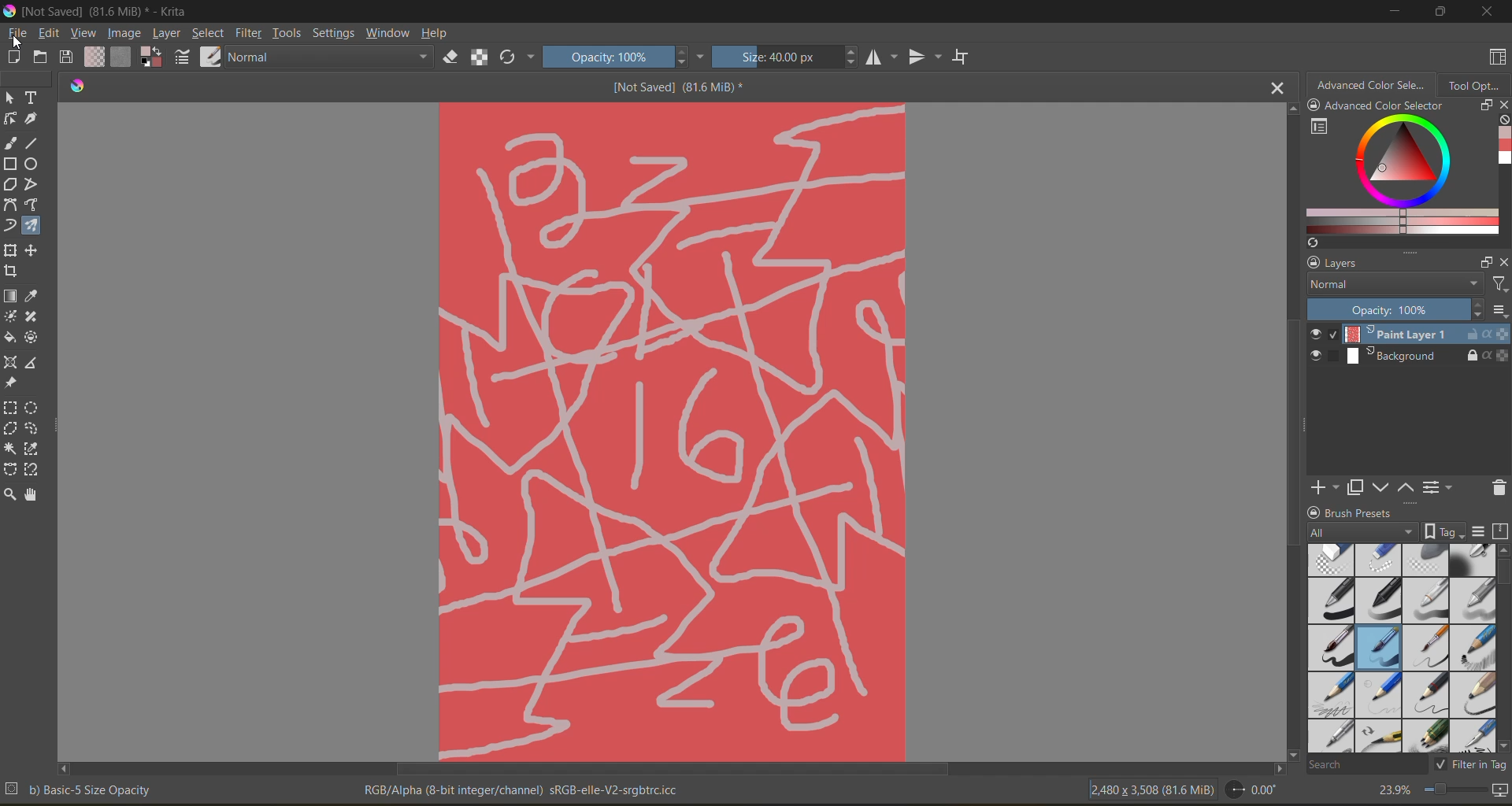  I want to click on Image, so click(673, 430).